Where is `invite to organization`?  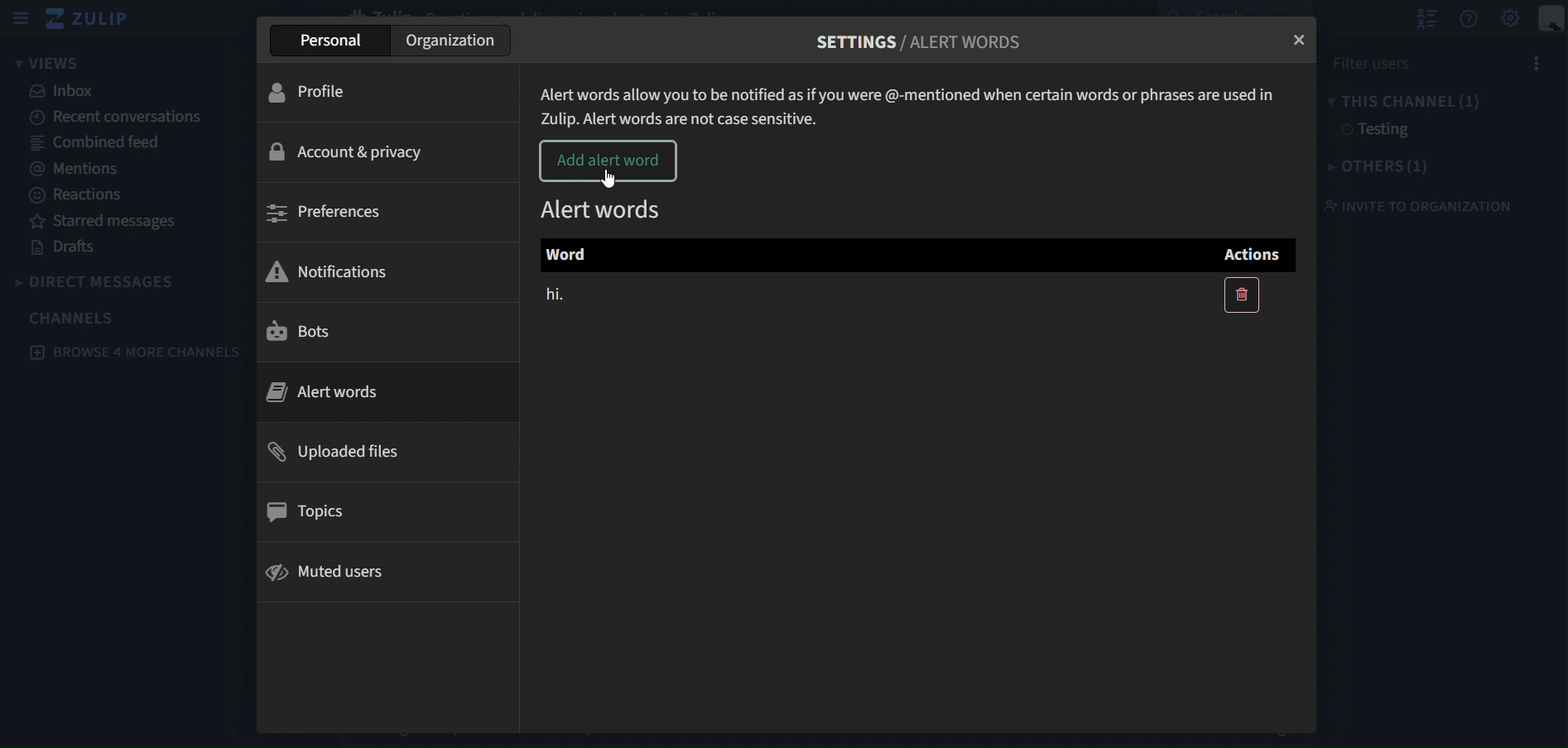 invite to organization is located at coordinates (1416, 207).